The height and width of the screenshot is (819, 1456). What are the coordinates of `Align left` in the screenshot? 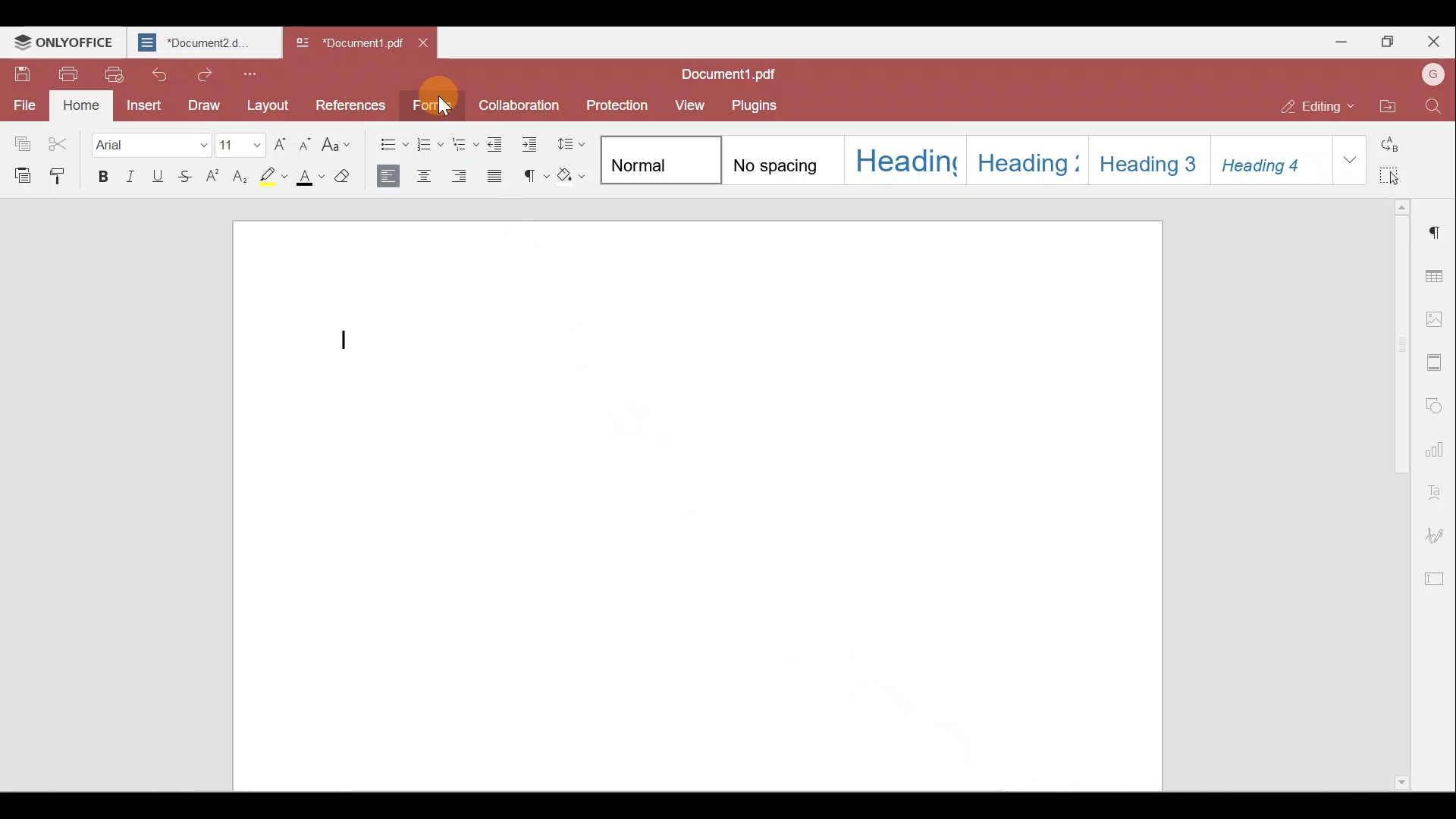 It's located at (390, 178).